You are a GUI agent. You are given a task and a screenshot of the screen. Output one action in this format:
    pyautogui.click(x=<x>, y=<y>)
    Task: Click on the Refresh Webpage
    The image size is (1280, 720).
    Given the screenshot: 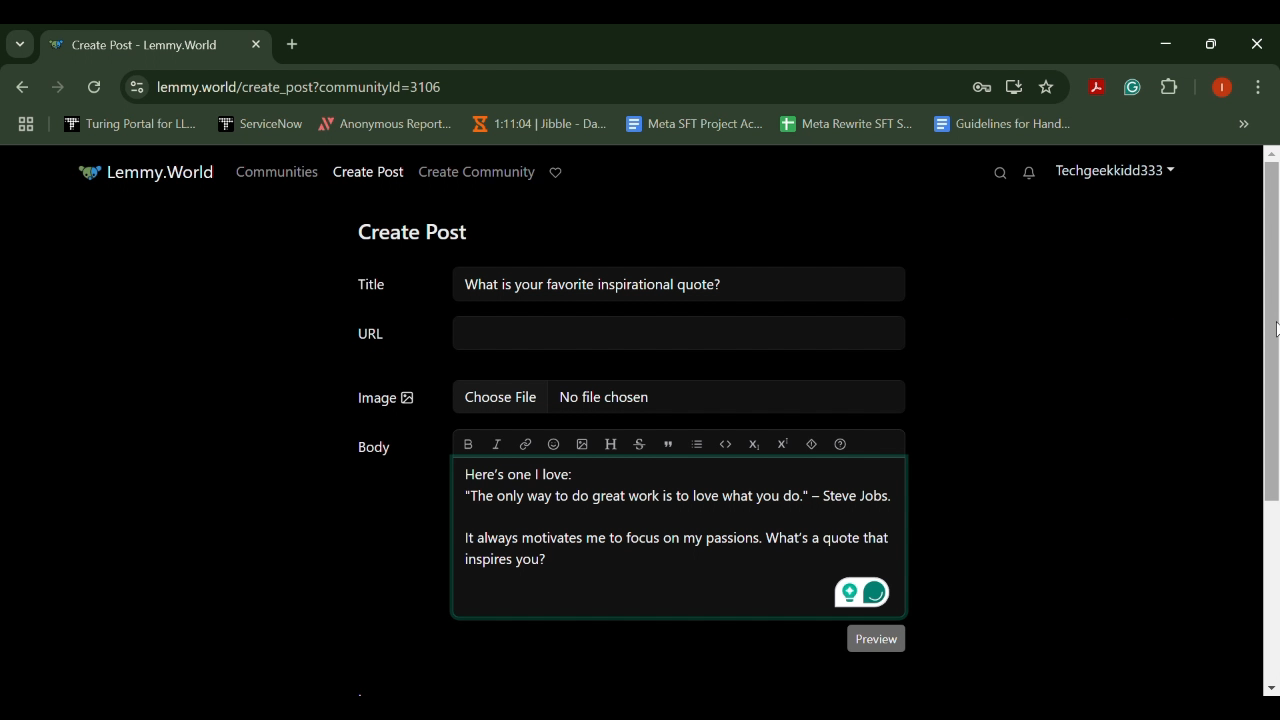 What is the action you would take?
    pyautogui.click(x=96, y=89)
    